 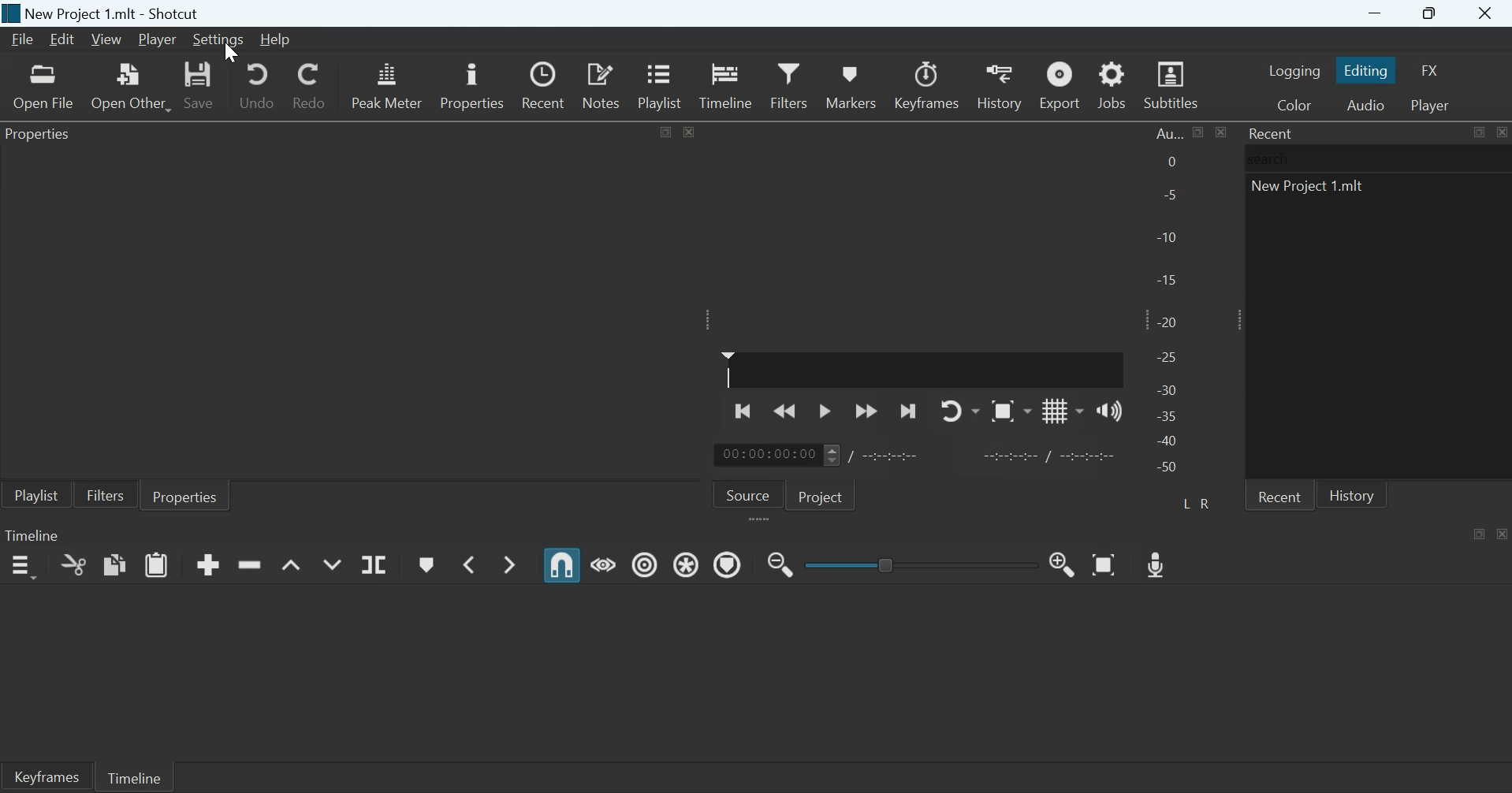 What do you see at coordinates (1158, 563) in the screenshot?
I see `Record Audio` at bounding box center [1158, 563].